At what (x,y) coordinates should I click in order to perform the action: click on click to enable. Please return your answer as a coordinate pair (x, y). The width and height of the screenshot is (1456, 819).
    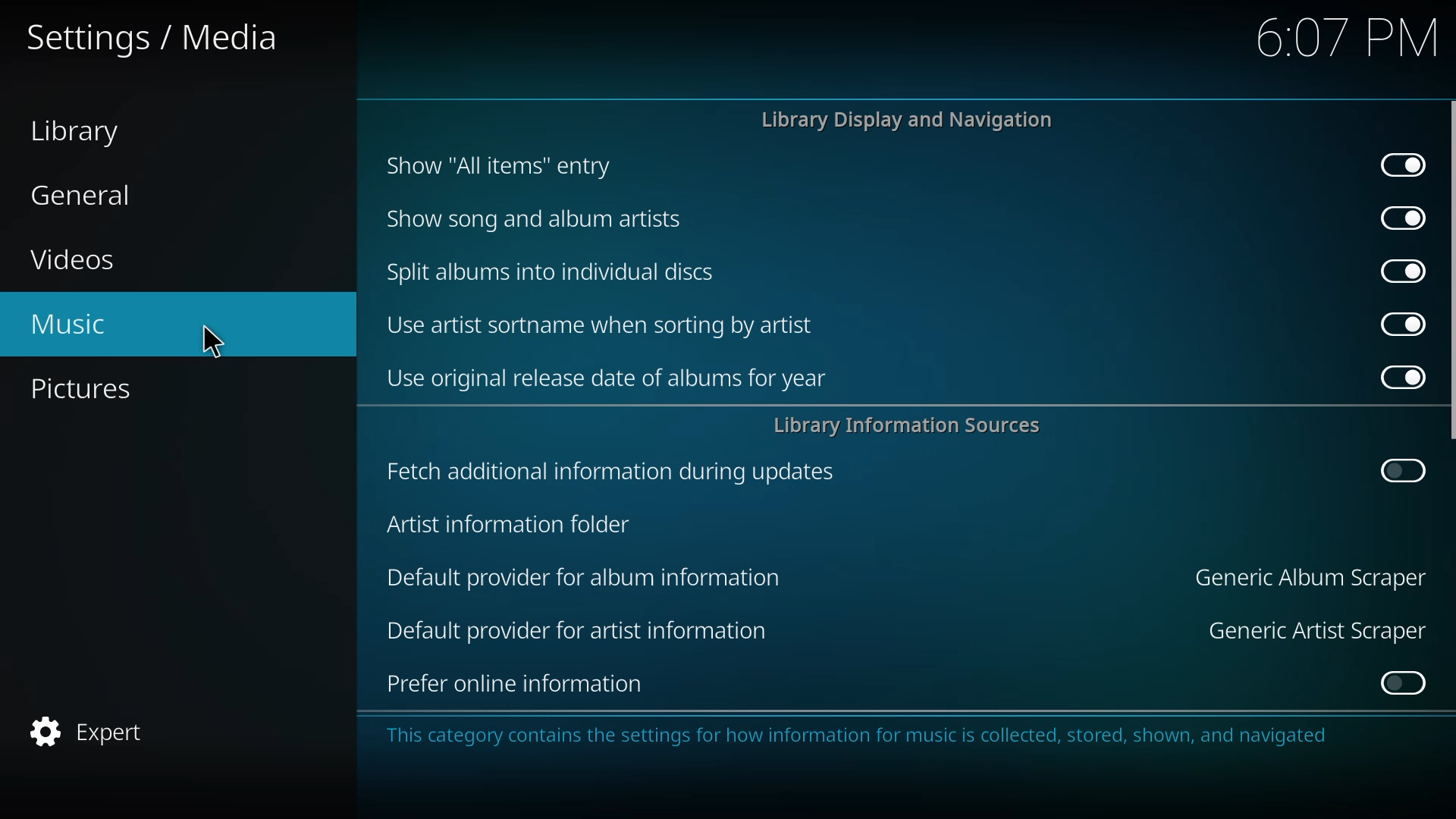
    Looking at the image, I should click on (1404, 469).